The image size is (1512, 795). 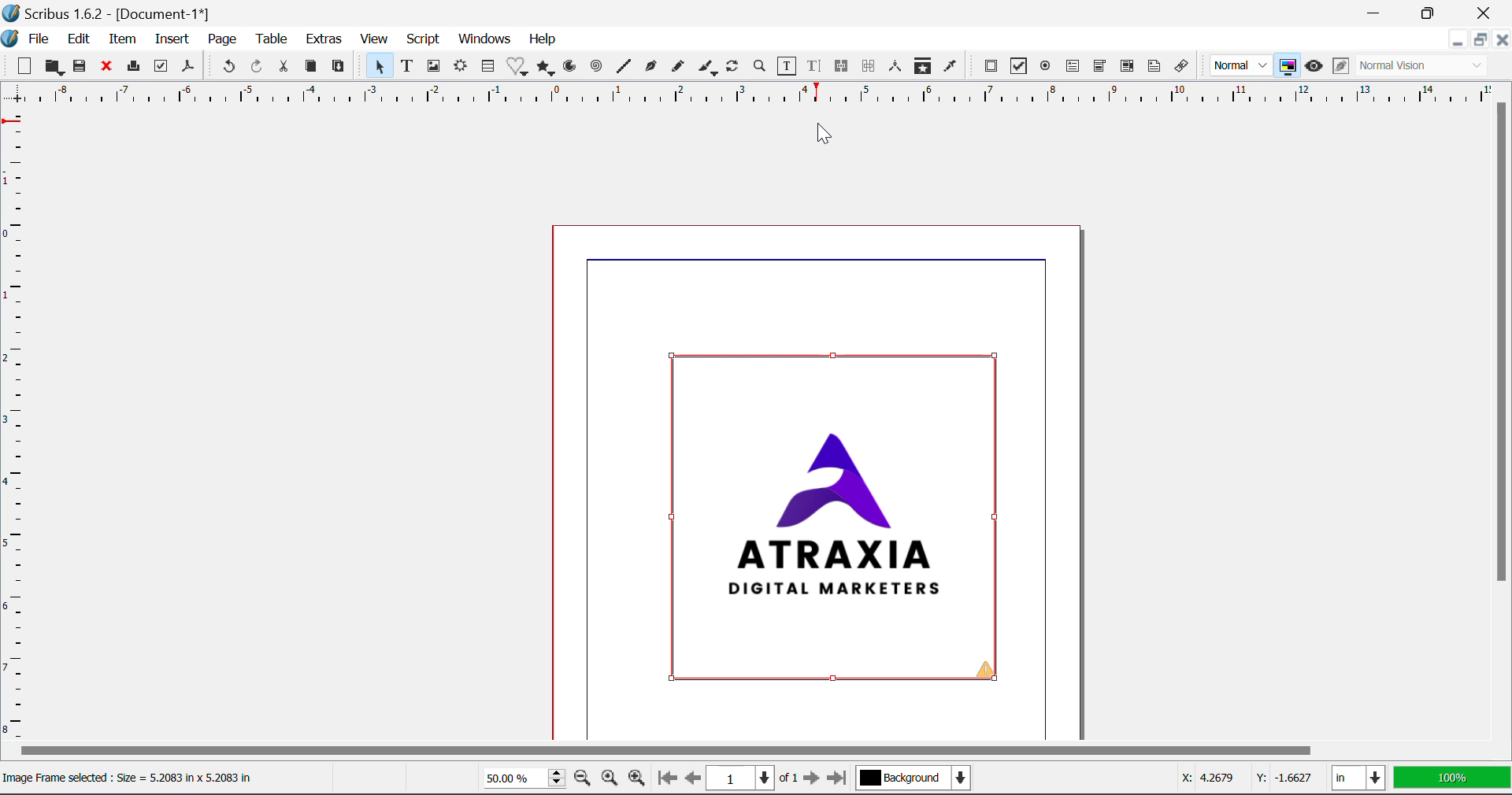 I want to click on Unlink Text Frames, so click(x=869, y=66).